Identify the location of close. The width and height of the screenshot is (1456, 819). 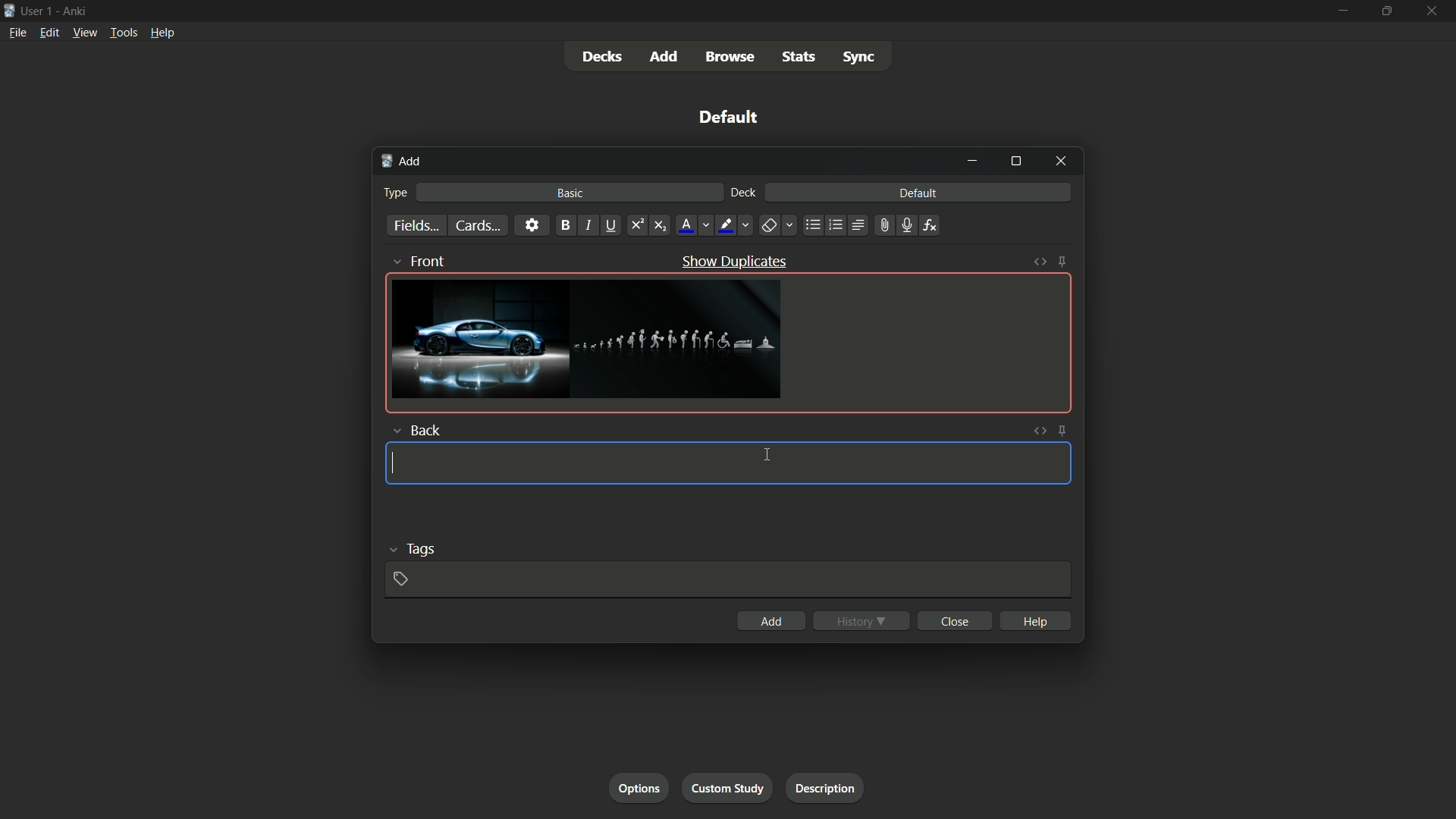
(955, 620).